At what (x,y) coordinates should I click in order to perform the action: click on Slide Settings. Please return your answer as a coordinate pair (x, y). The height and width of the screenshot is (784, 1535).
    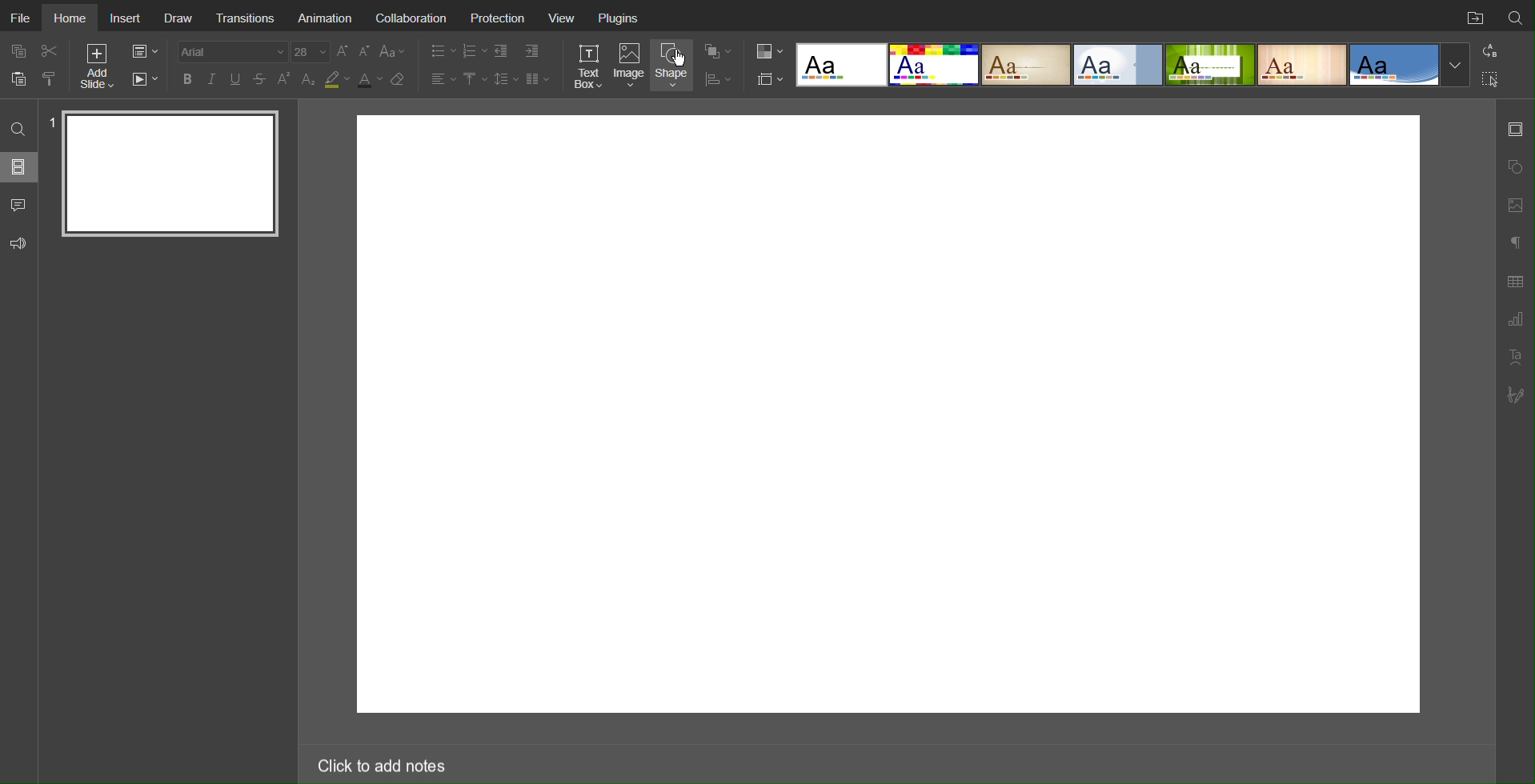
    Looking at the image, I should click on (767, 79).